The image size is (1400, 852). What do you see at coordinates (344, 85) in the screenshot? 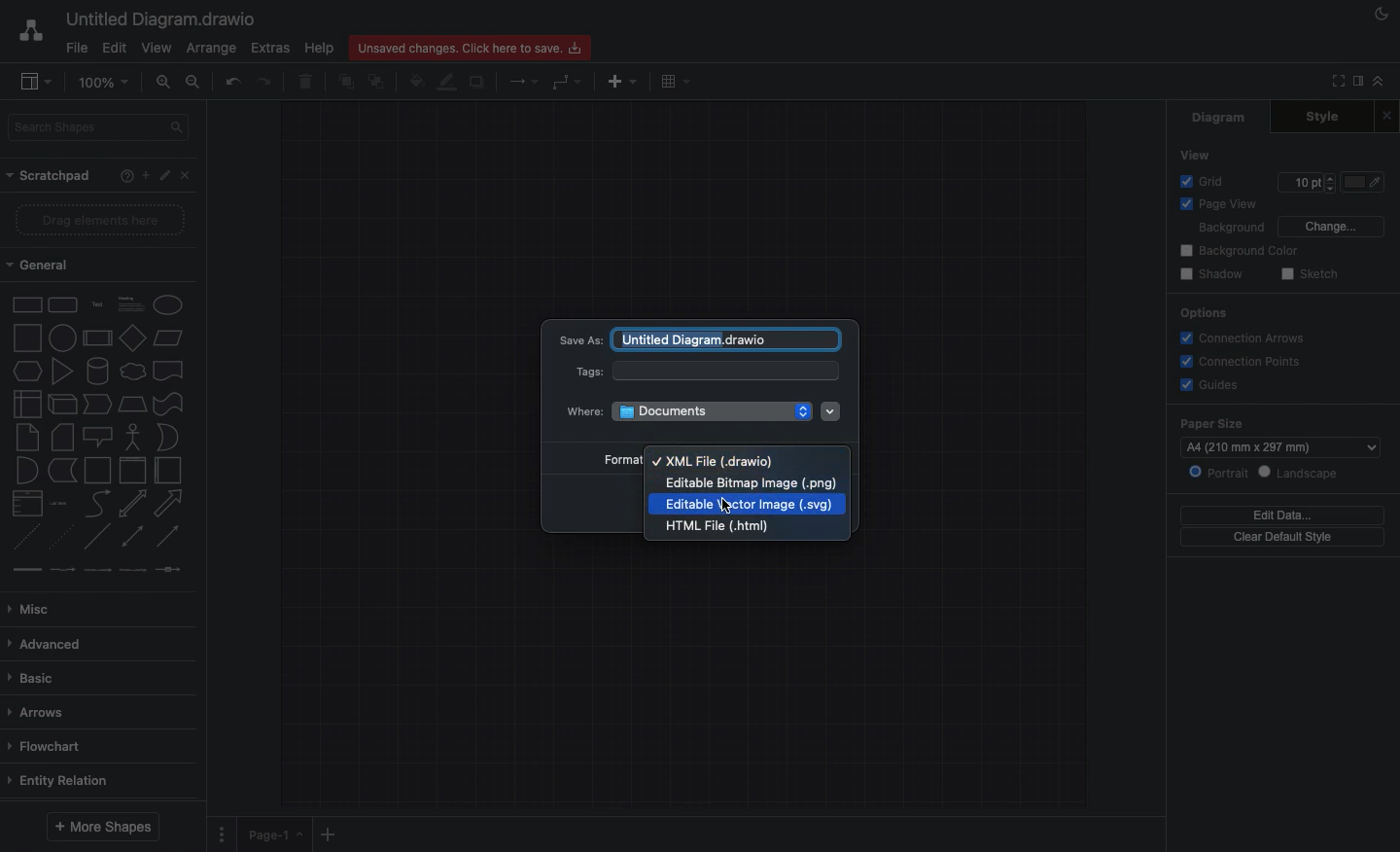
I see `To front` at bounding box center [344, 85].